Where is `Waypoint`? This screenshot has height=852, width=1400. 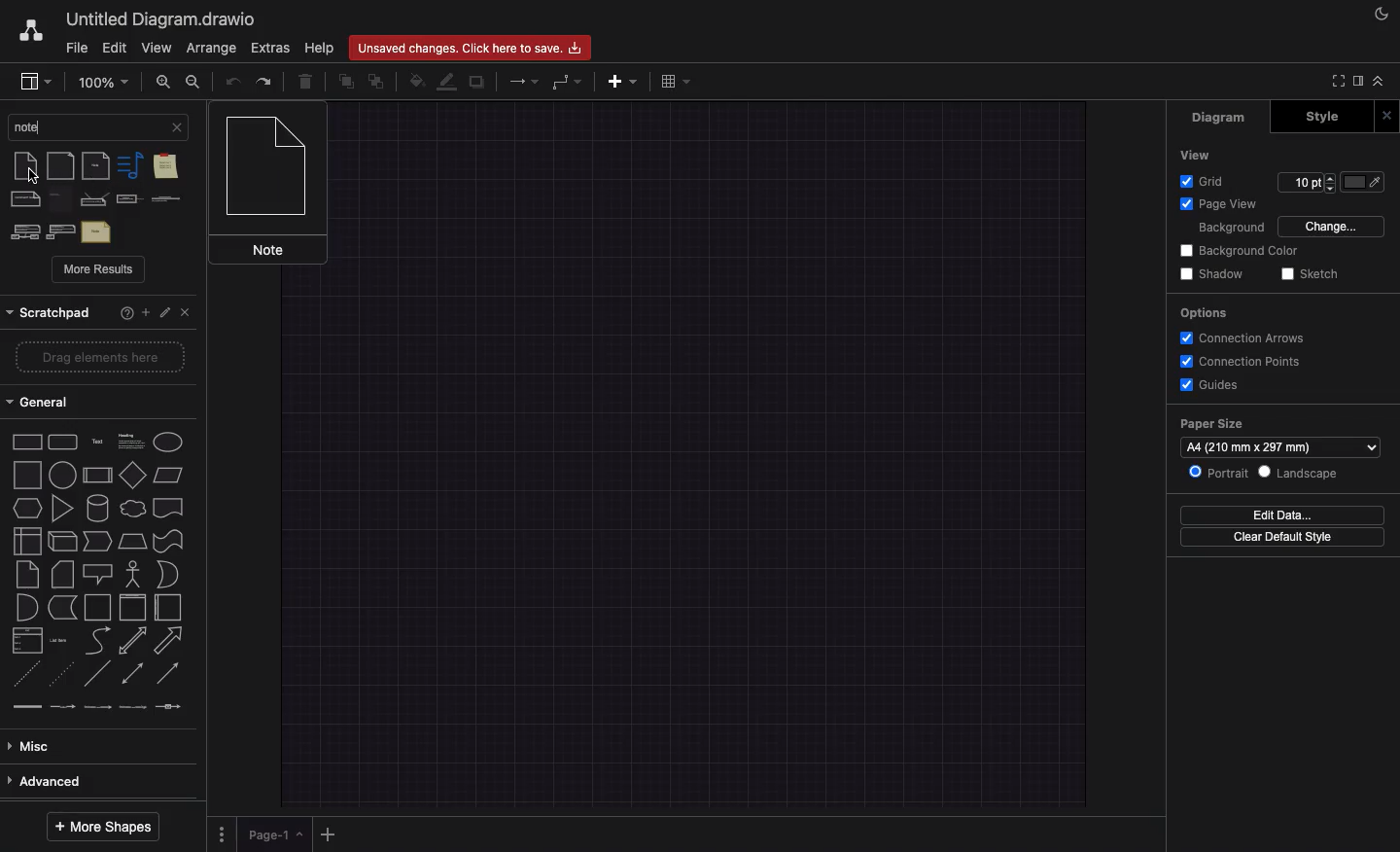 Waypoint is located at coordinates (566, 83).